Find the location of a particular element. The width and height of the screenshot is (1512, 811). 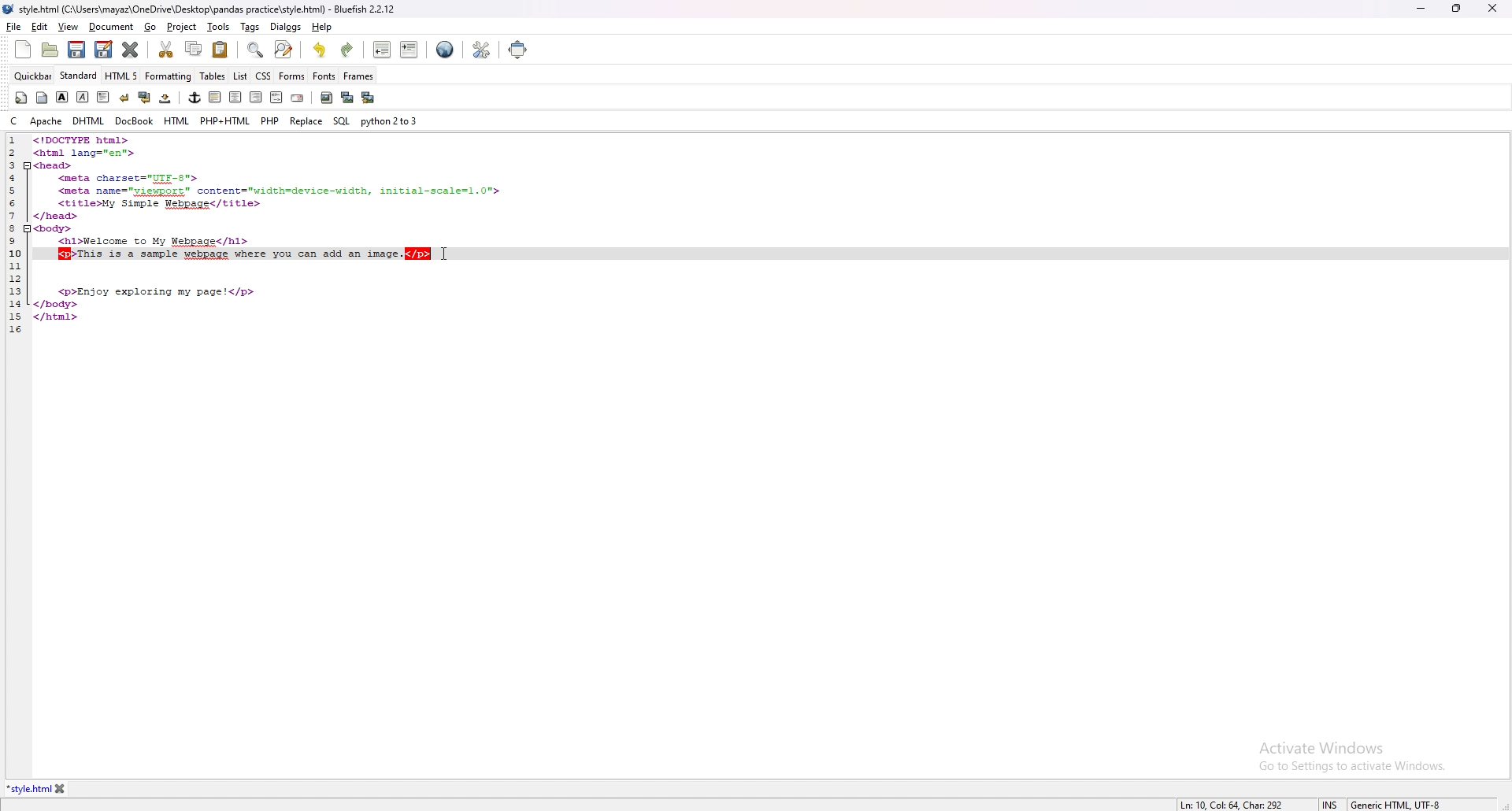

insert thumbnail is located at coordinates (346, 98).